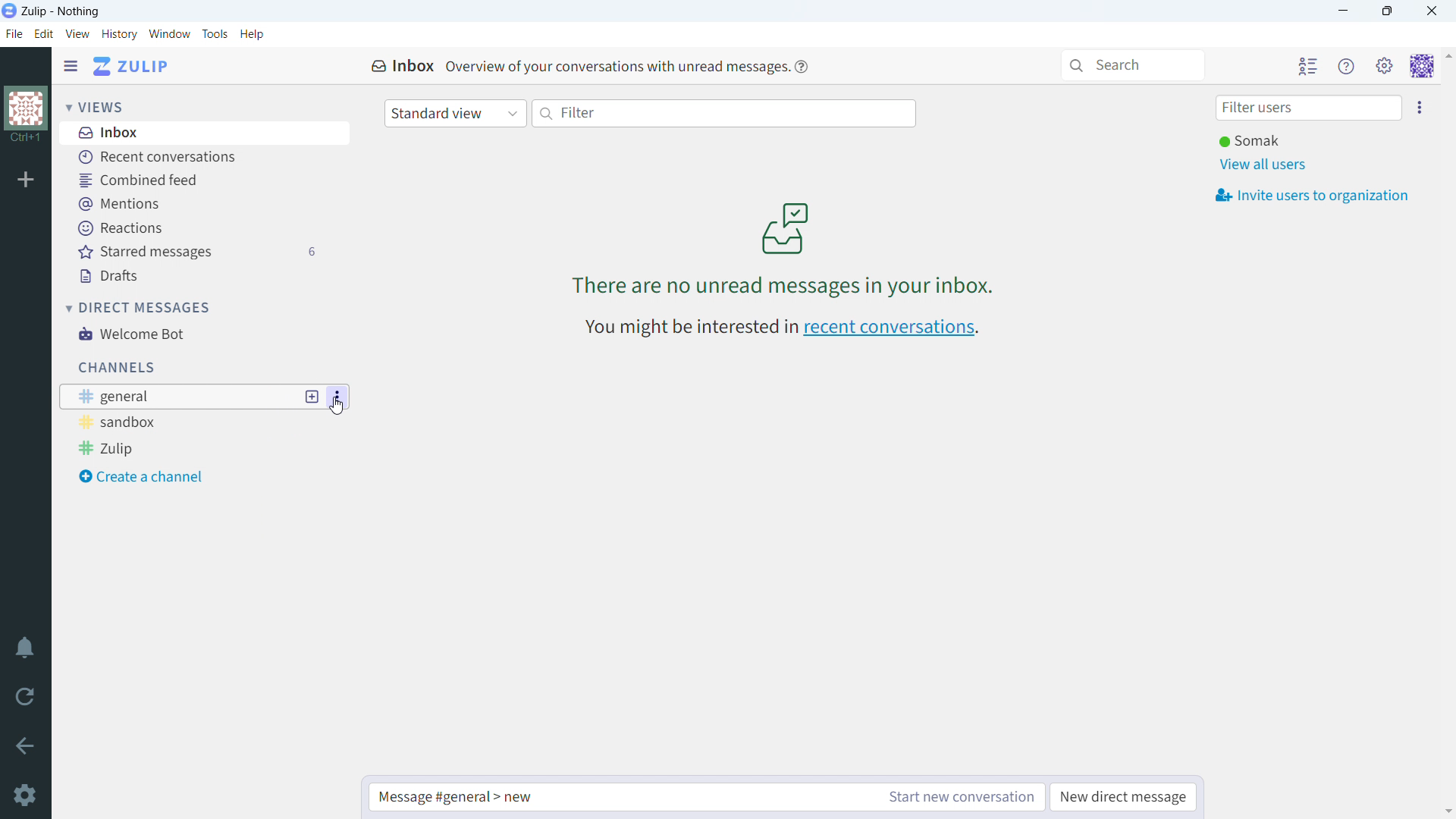 The image size is (1456, 819). Describe the element at coordinates (252, 35) in the screenshot. I see `help` at that location.